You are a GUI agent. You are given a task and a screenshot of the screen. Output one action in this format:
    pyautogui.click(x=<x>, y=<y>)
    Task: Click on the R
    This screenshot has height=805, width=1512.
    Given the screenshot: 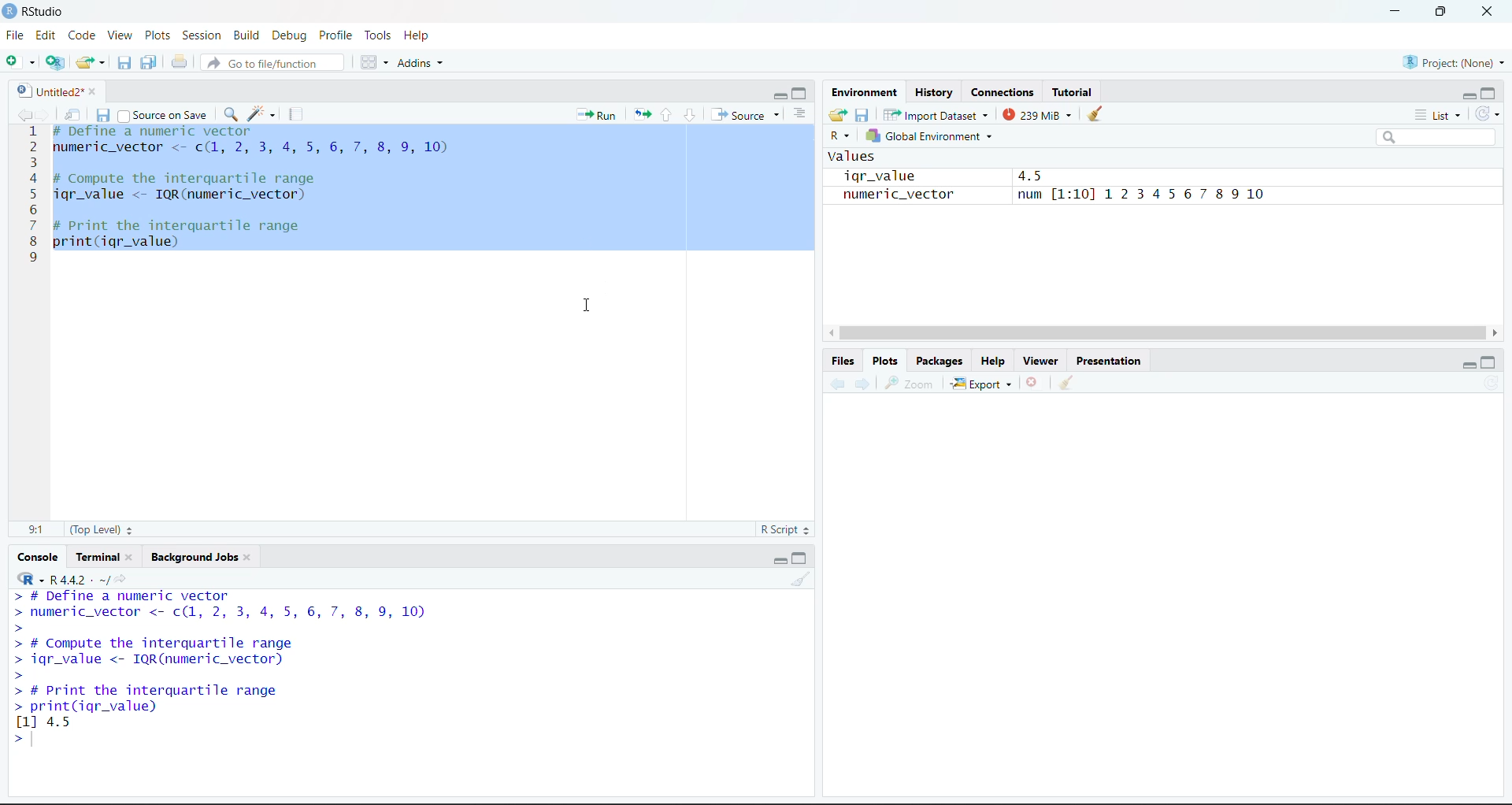 What is the action you would take?
    pyautogui.click(x=839, y=139)
    